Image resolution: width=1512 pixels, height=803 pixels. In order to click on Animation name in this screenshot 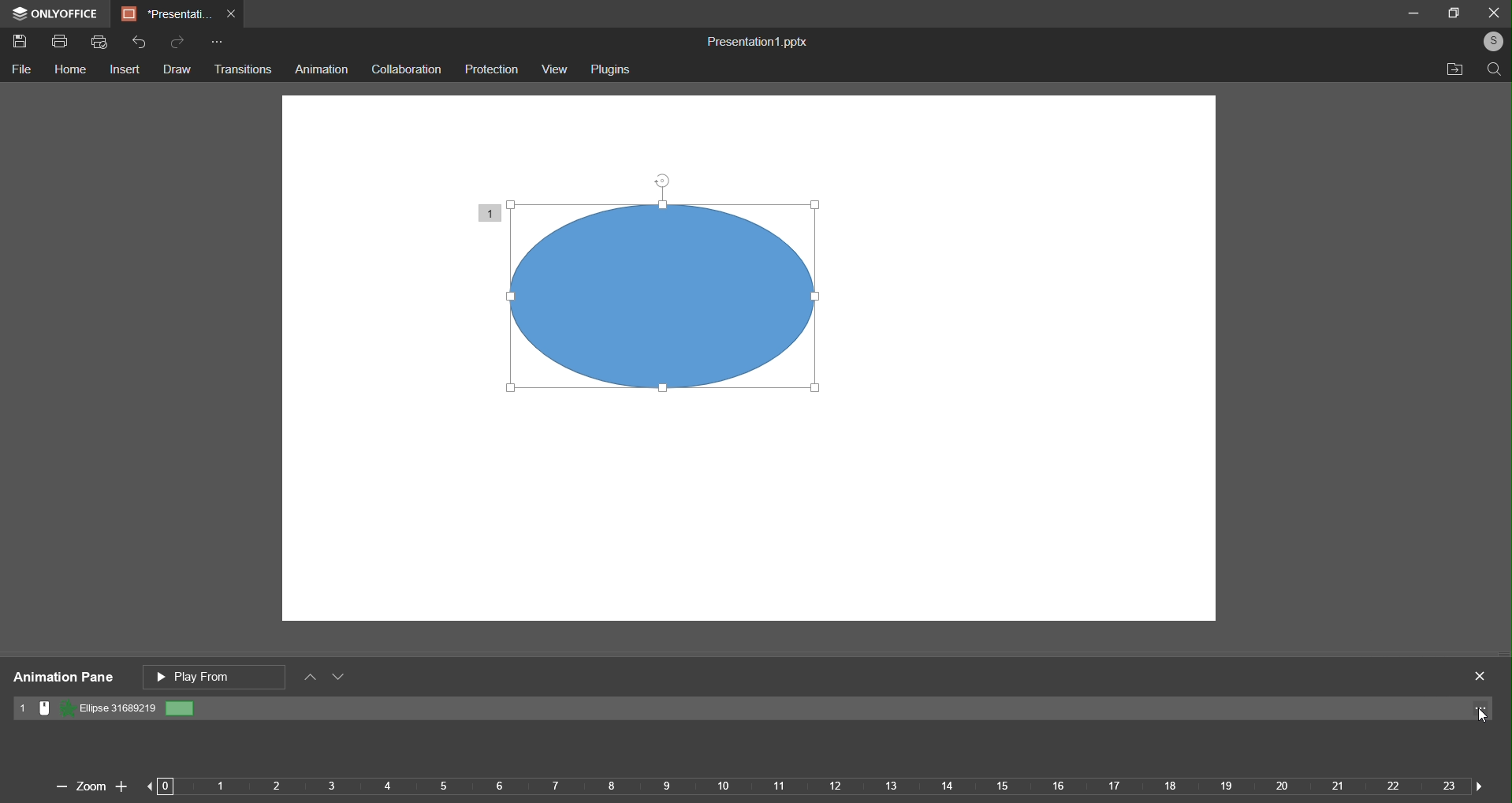, I will do `click(106, 709)`.